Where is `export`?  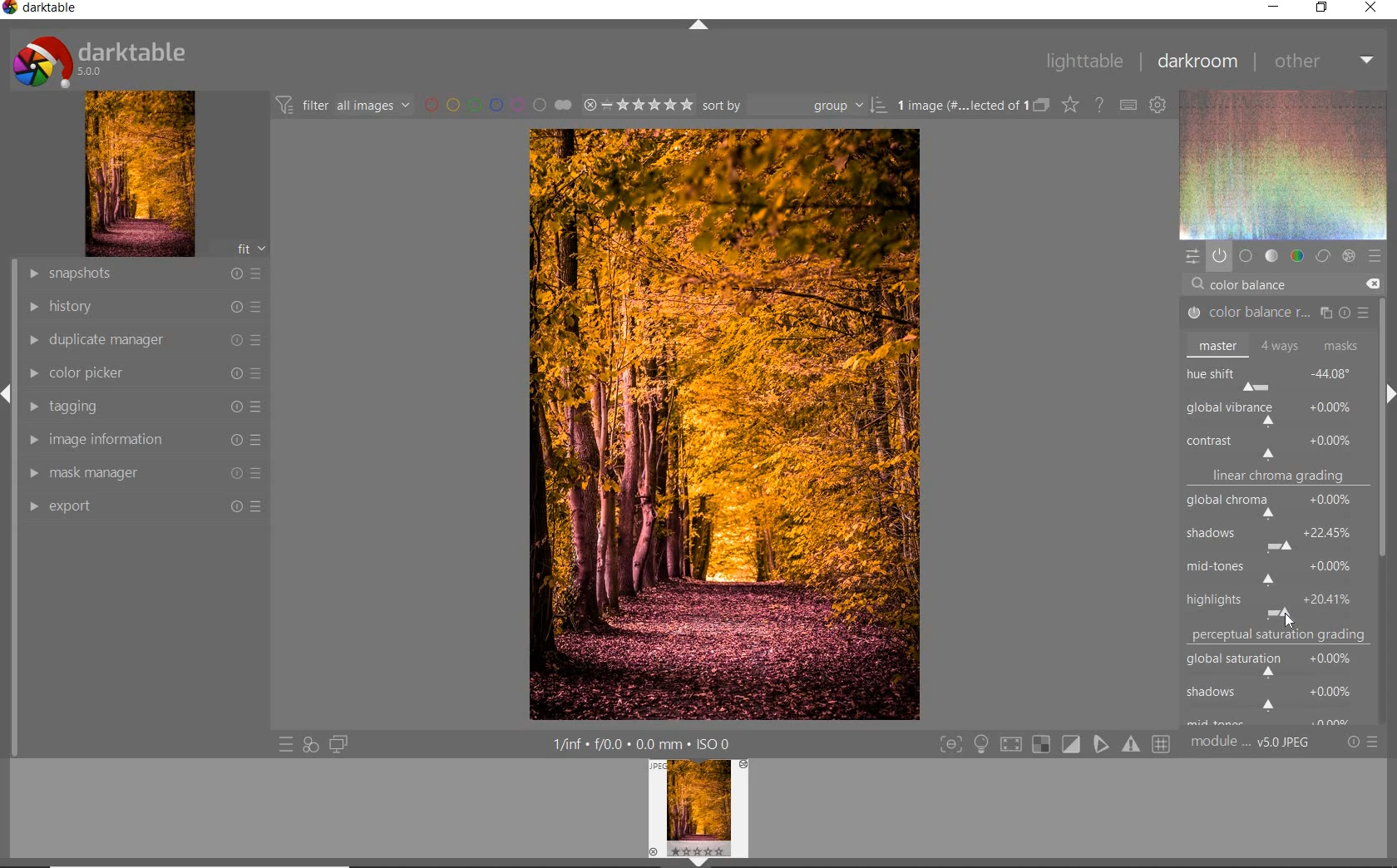 export is located at coordinates (146, 506).